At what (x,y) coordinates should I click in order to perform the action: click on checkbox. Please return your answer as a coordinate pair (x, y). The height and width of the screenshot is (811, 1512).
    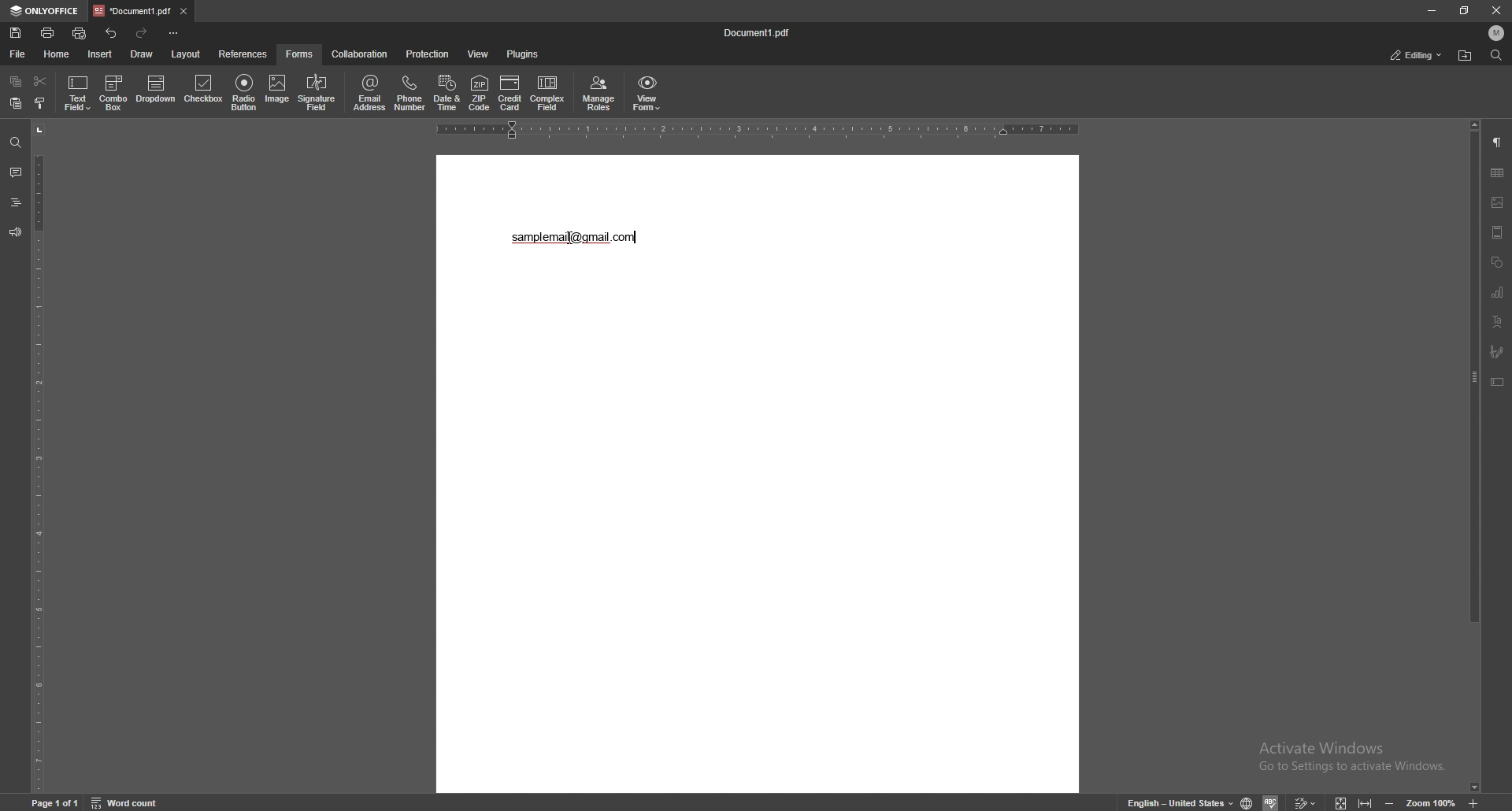
    Looking at the image, I should click on (205, 90).